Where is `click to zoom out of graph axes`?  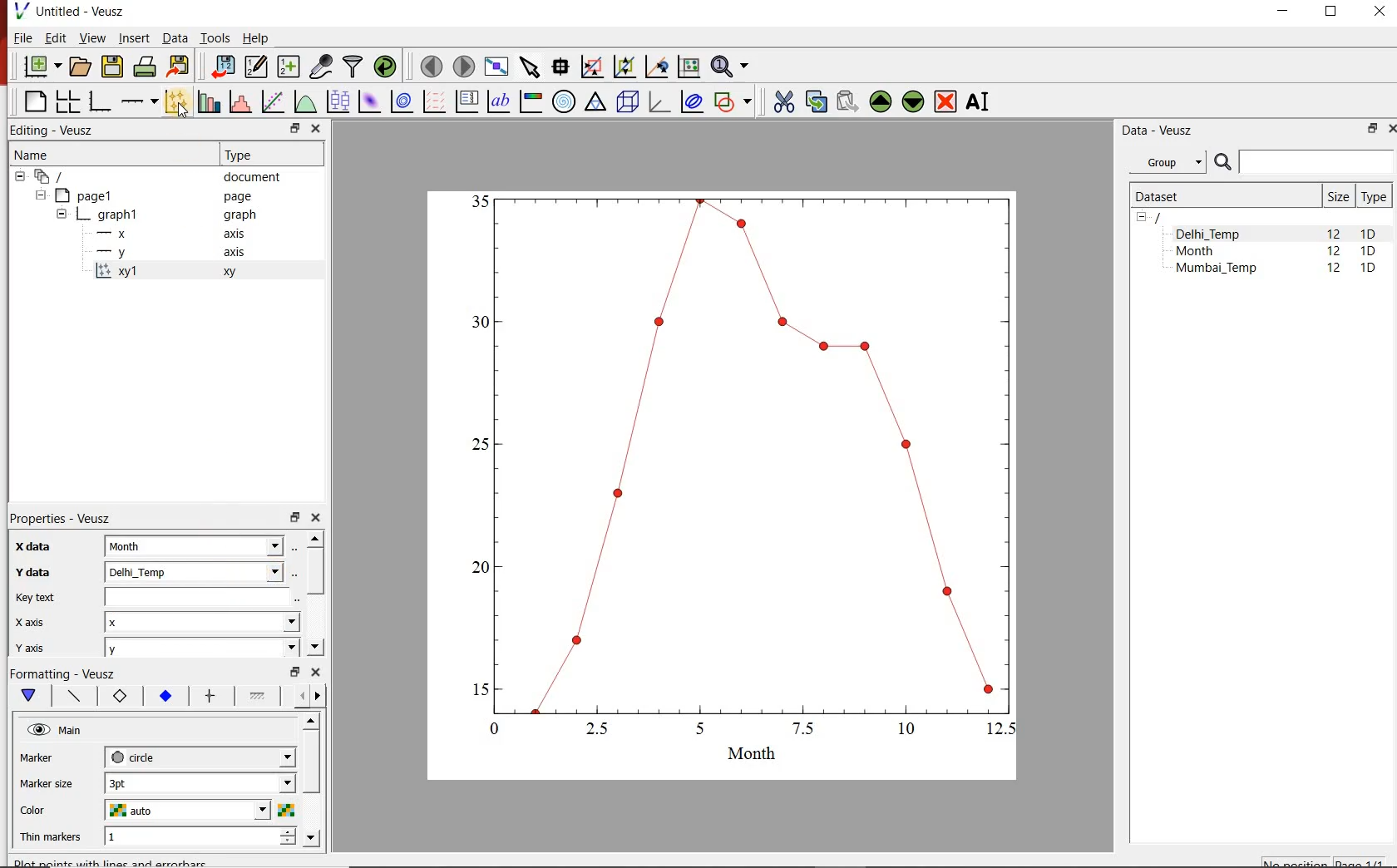
click to zoom out of graph axes is located at coordinates (624, 67).